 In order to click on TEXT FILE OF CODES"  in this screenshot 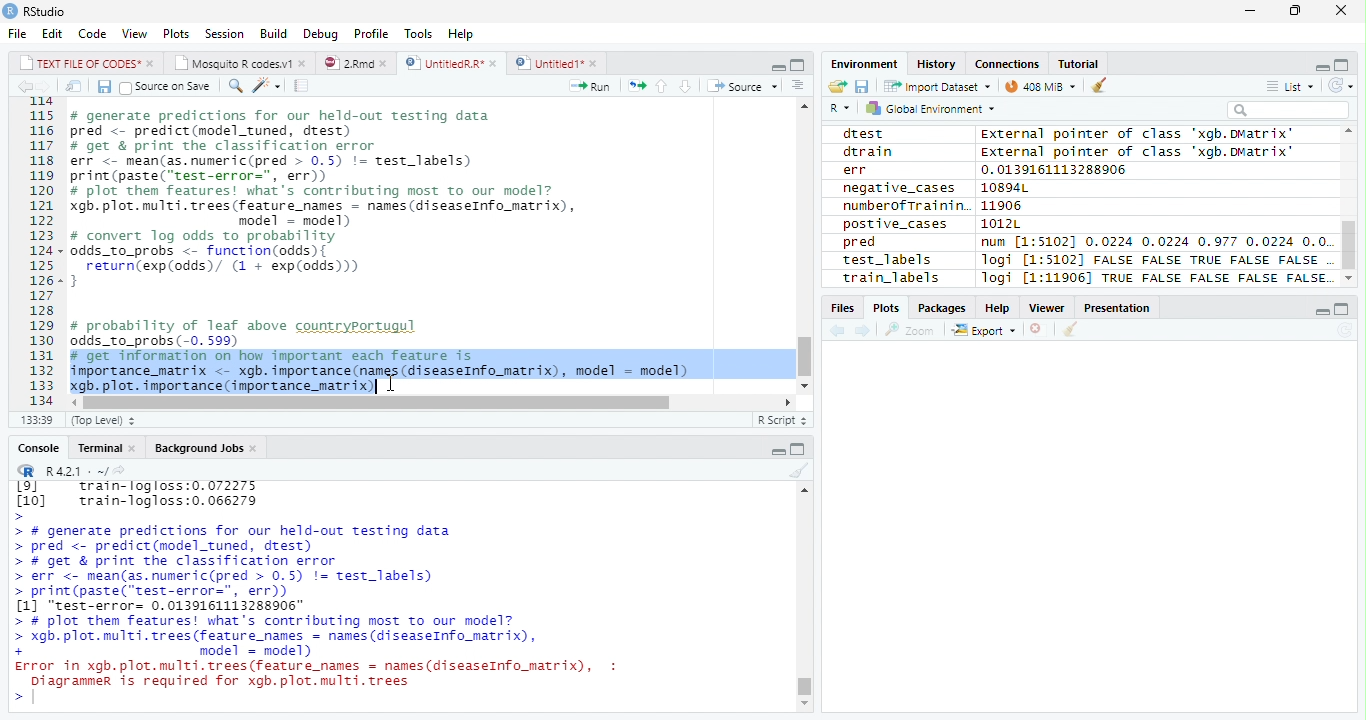, I will do `click(86, 63)`.